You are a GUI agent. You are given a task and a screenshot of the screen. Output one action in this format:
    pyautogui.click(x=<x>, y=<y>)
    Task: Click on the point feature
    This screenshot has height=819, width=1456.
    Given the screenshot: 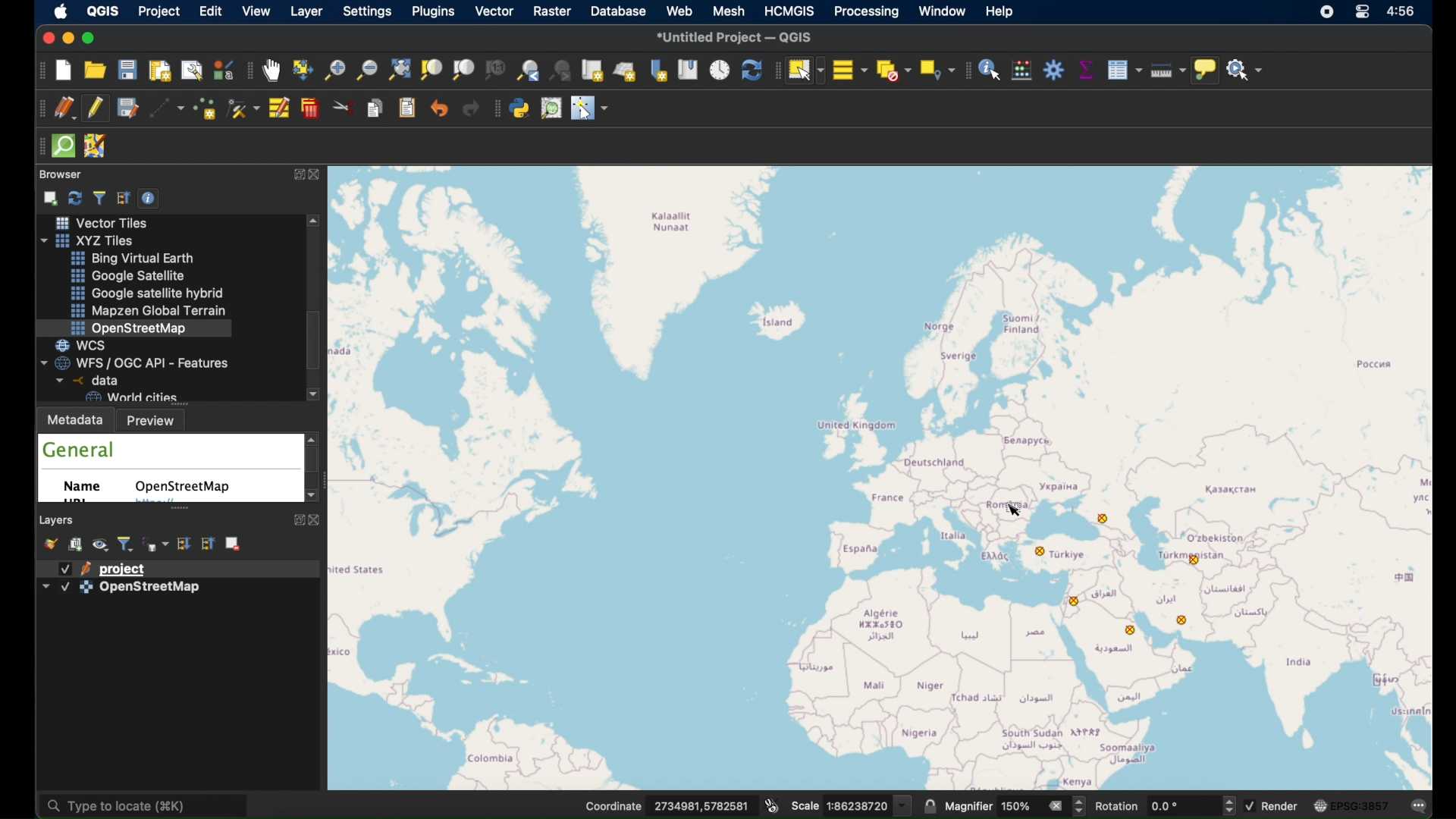 What is the action you would take?
    pyautogui.click(x=1079, y=601)
    